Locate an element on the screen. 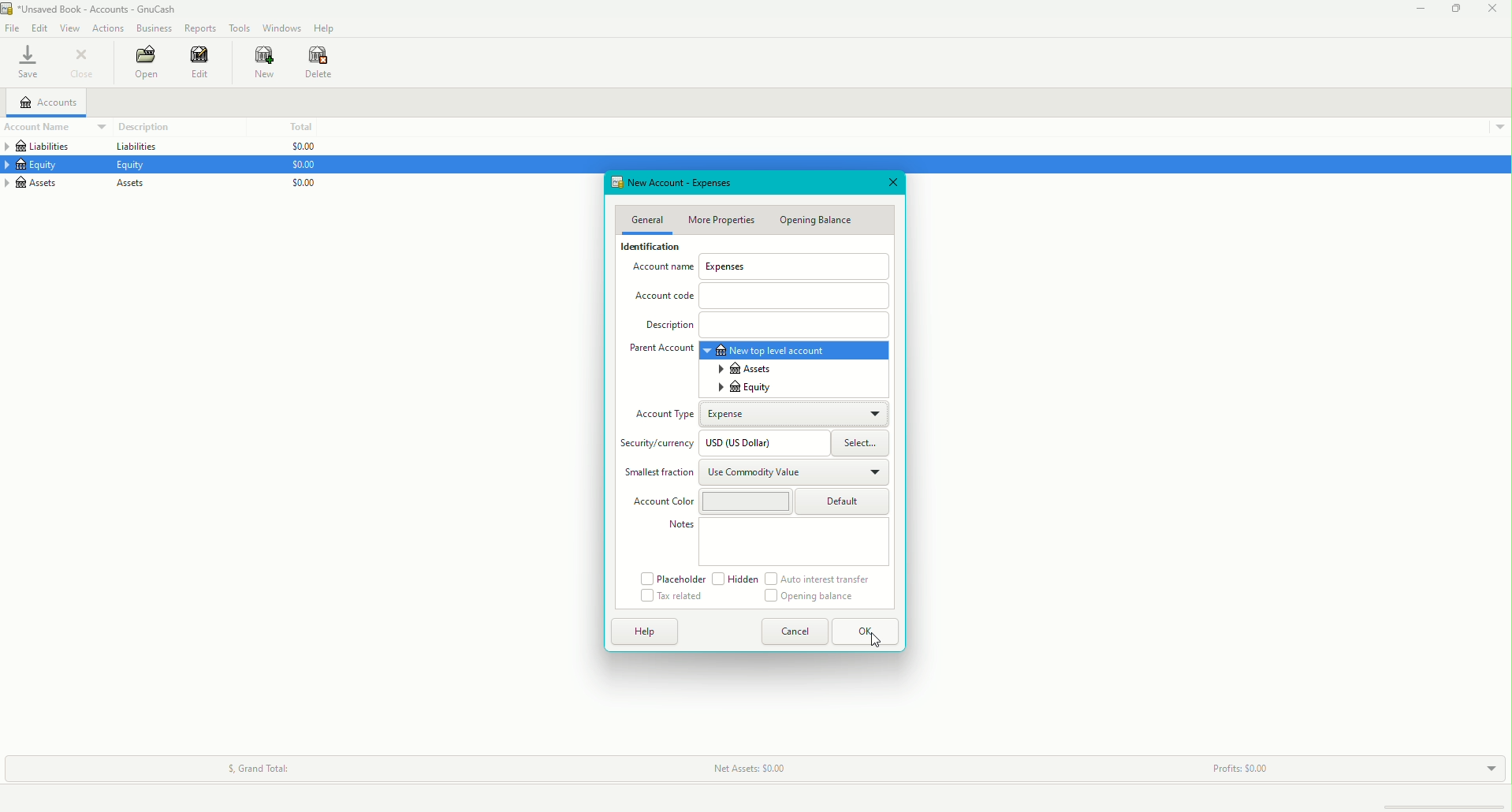 Image resolution: width=1512 pixels, height=812 pixels. Assets is located at coordinates (132, 184).